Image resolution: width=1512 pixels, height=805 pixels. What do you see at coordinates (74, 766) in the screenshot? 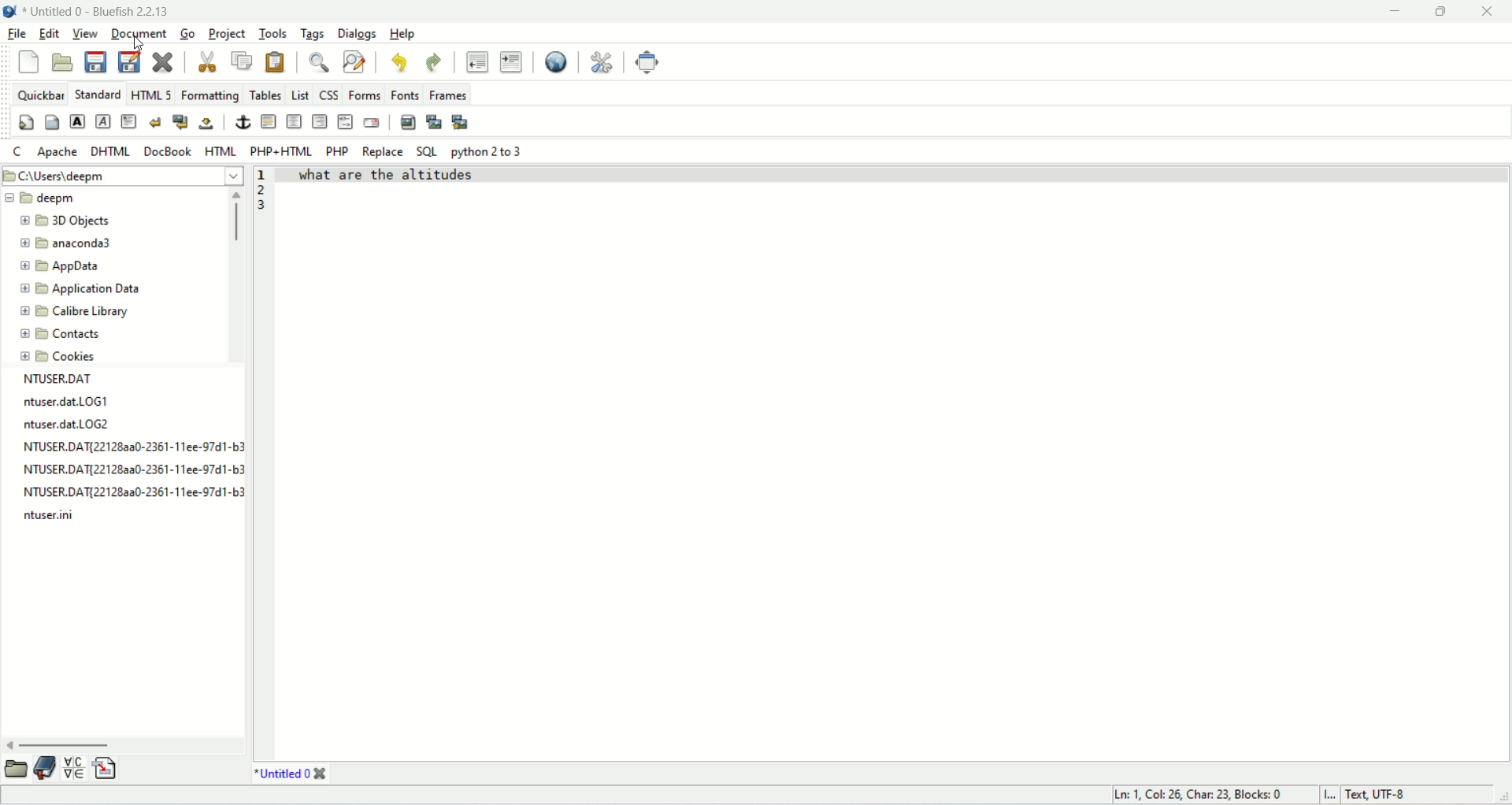
I see `insert special character` at bounding box center [74, 766].